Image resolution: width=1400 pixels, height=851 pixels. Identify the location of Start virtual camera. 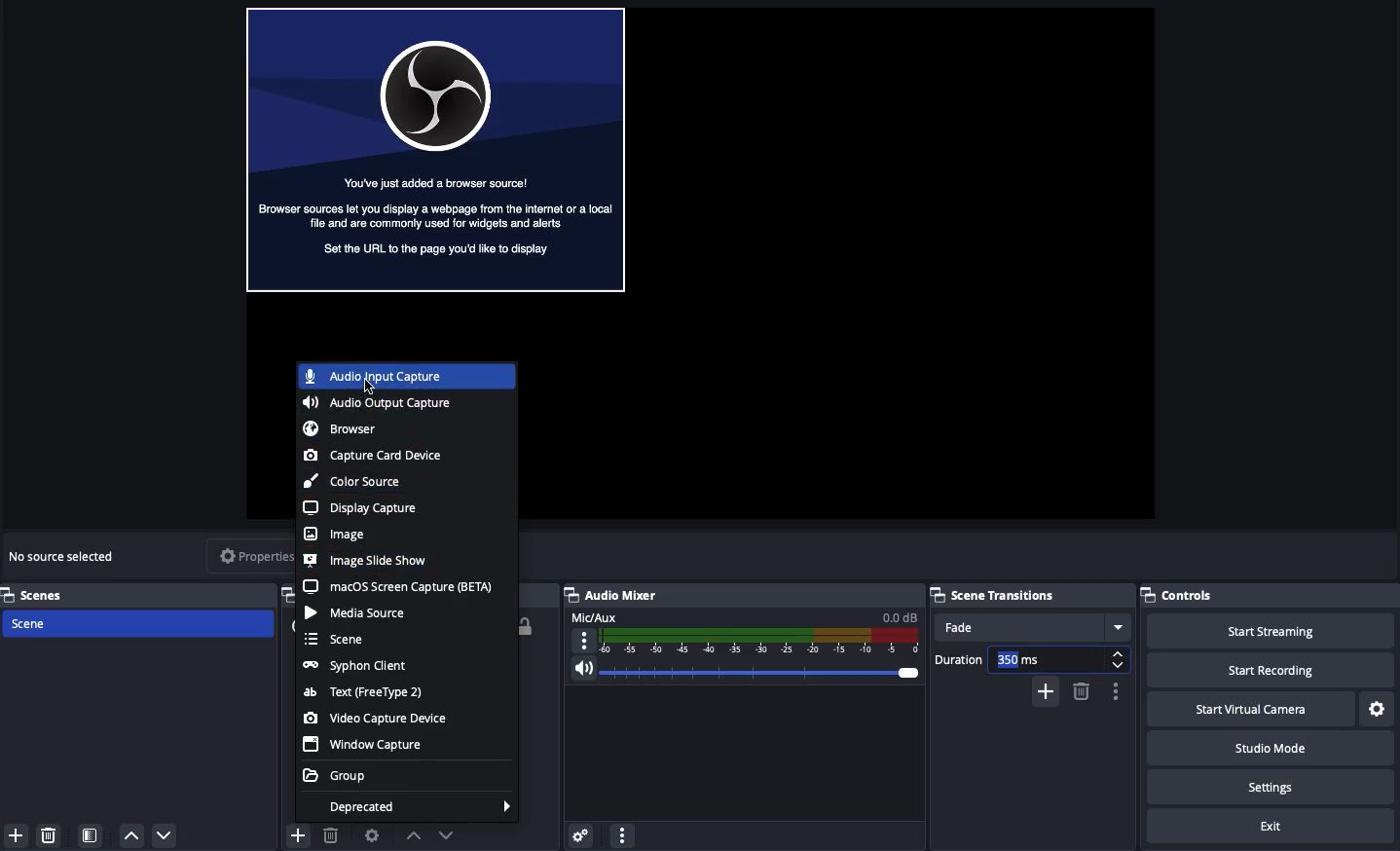
(1246, 710).